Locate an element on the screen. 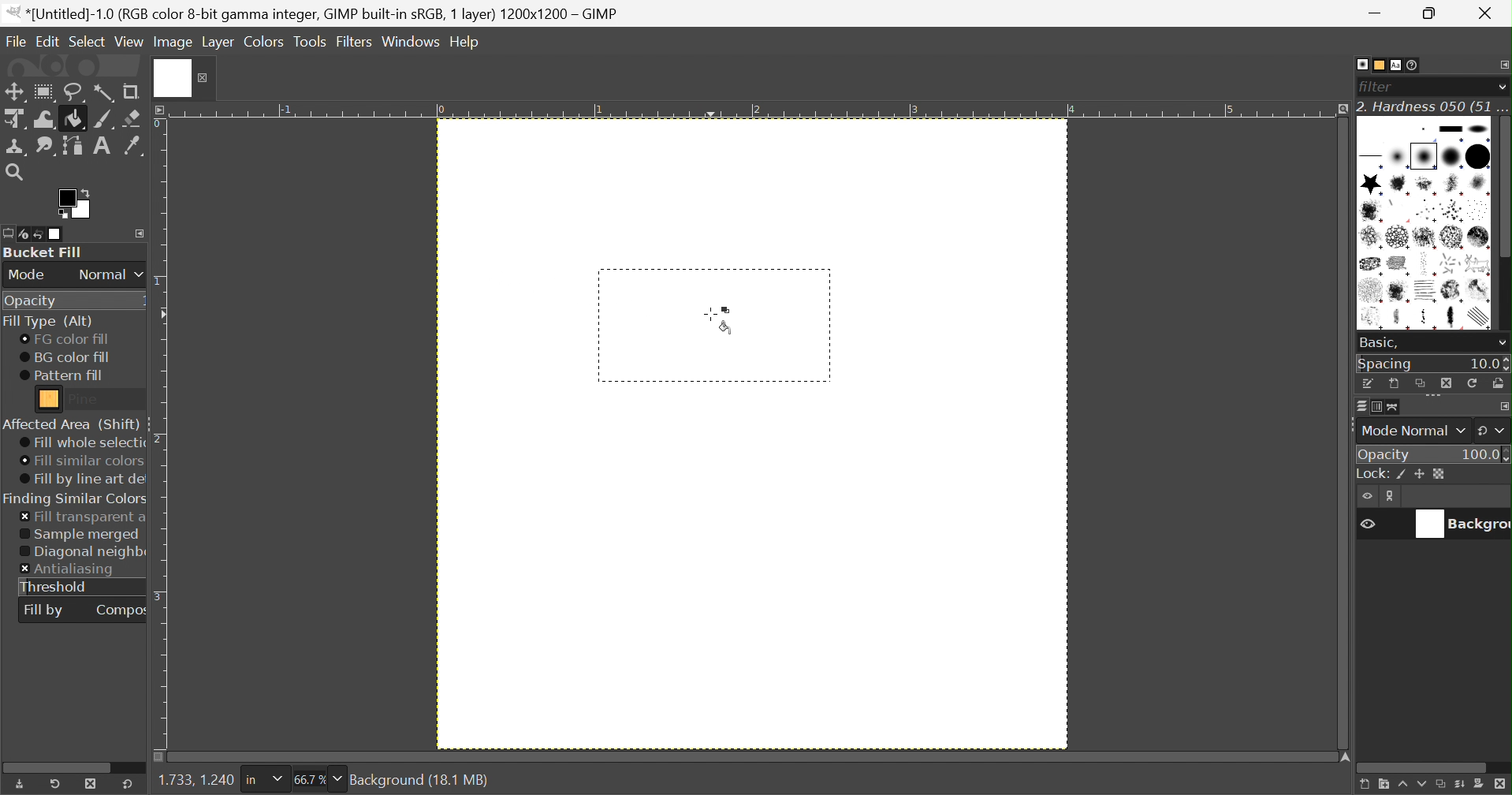 The width and height of the screenshot is (1512, 795). Grunge is located at coordinates (1399, 292).